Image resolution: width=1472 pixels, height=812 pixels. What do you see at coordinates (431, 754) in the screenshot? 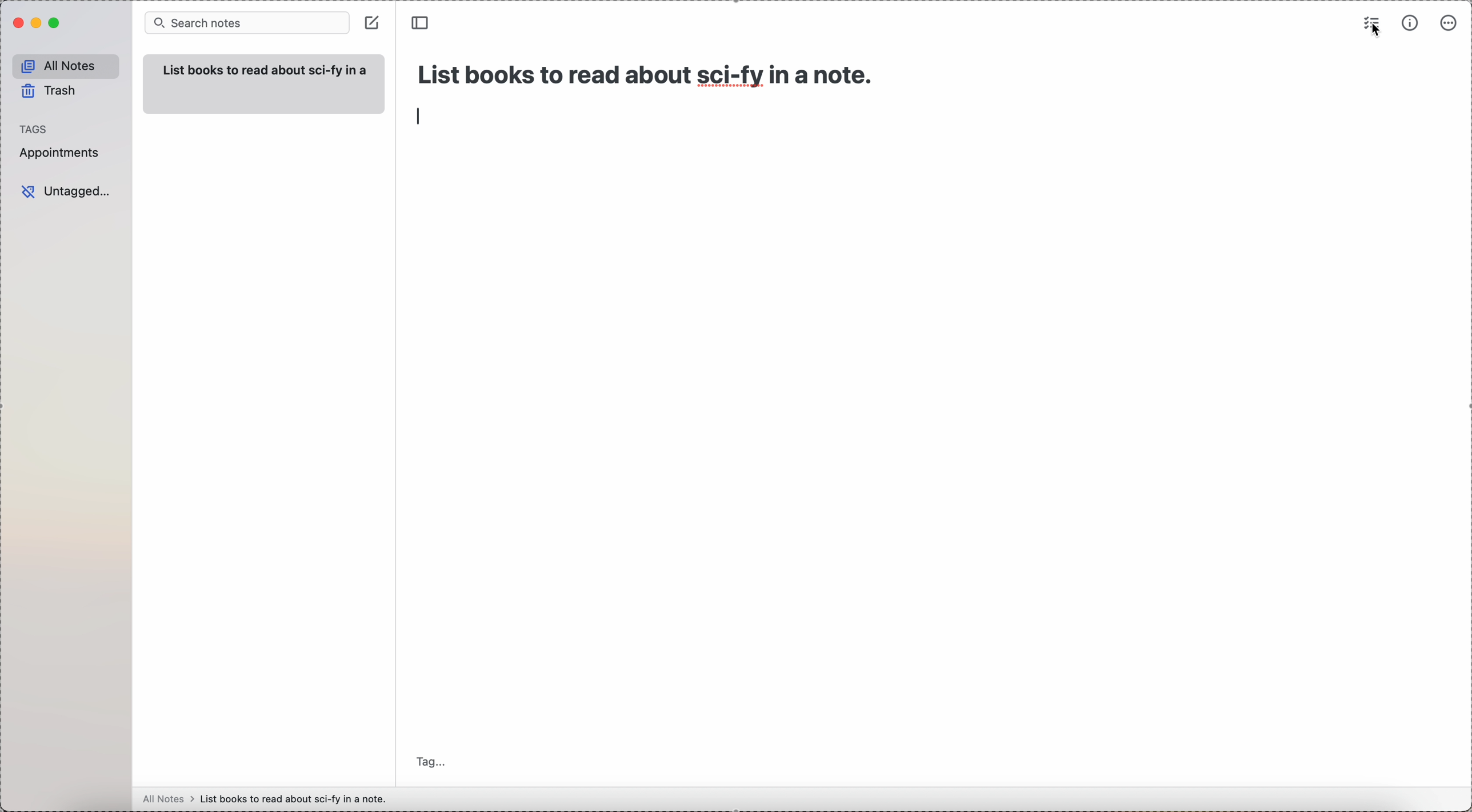
I see `tag...` at bounding box center [431, 754].